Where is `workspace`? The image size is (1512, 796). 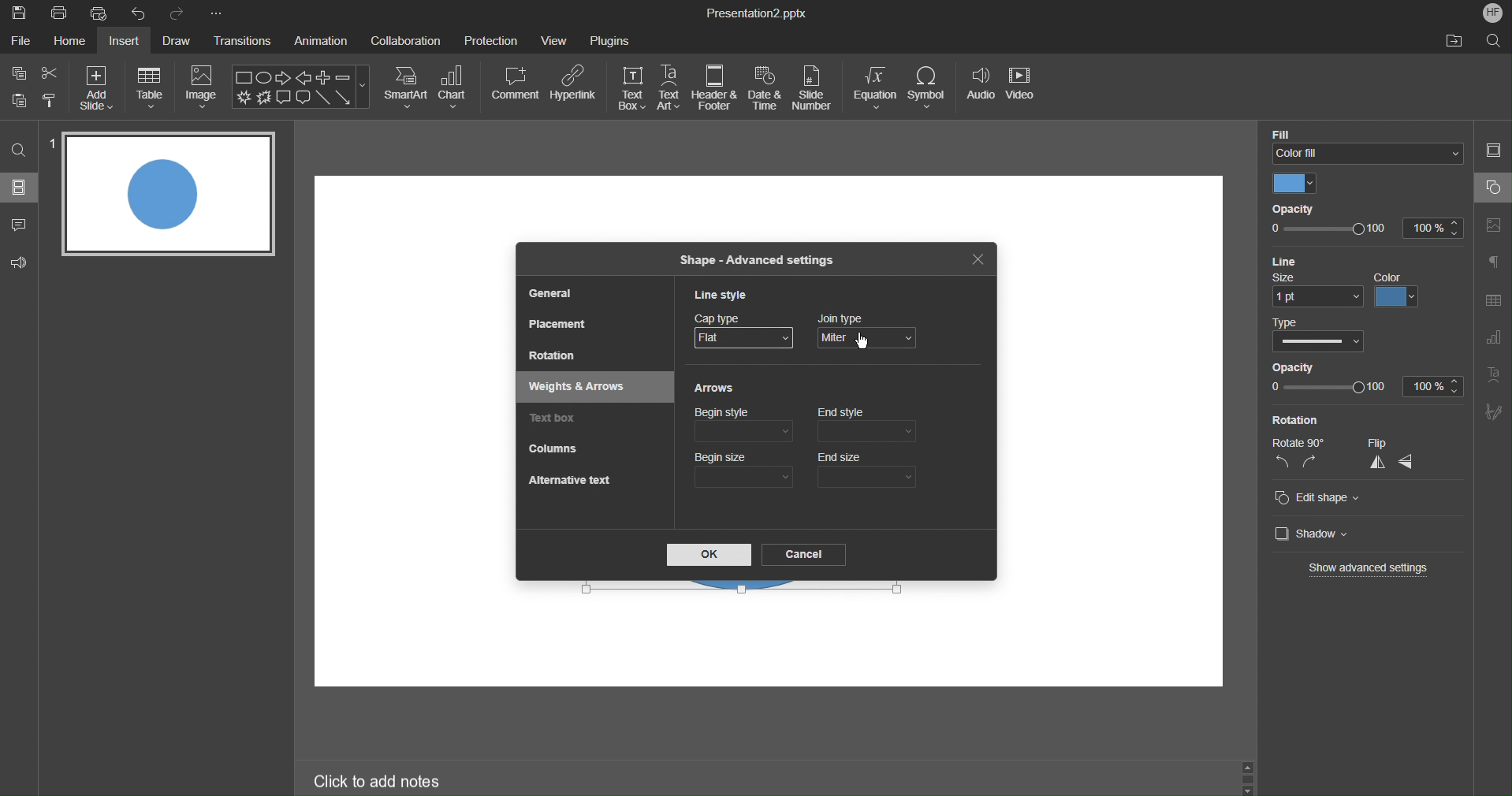
workspace is located at coordinates (410, 431).